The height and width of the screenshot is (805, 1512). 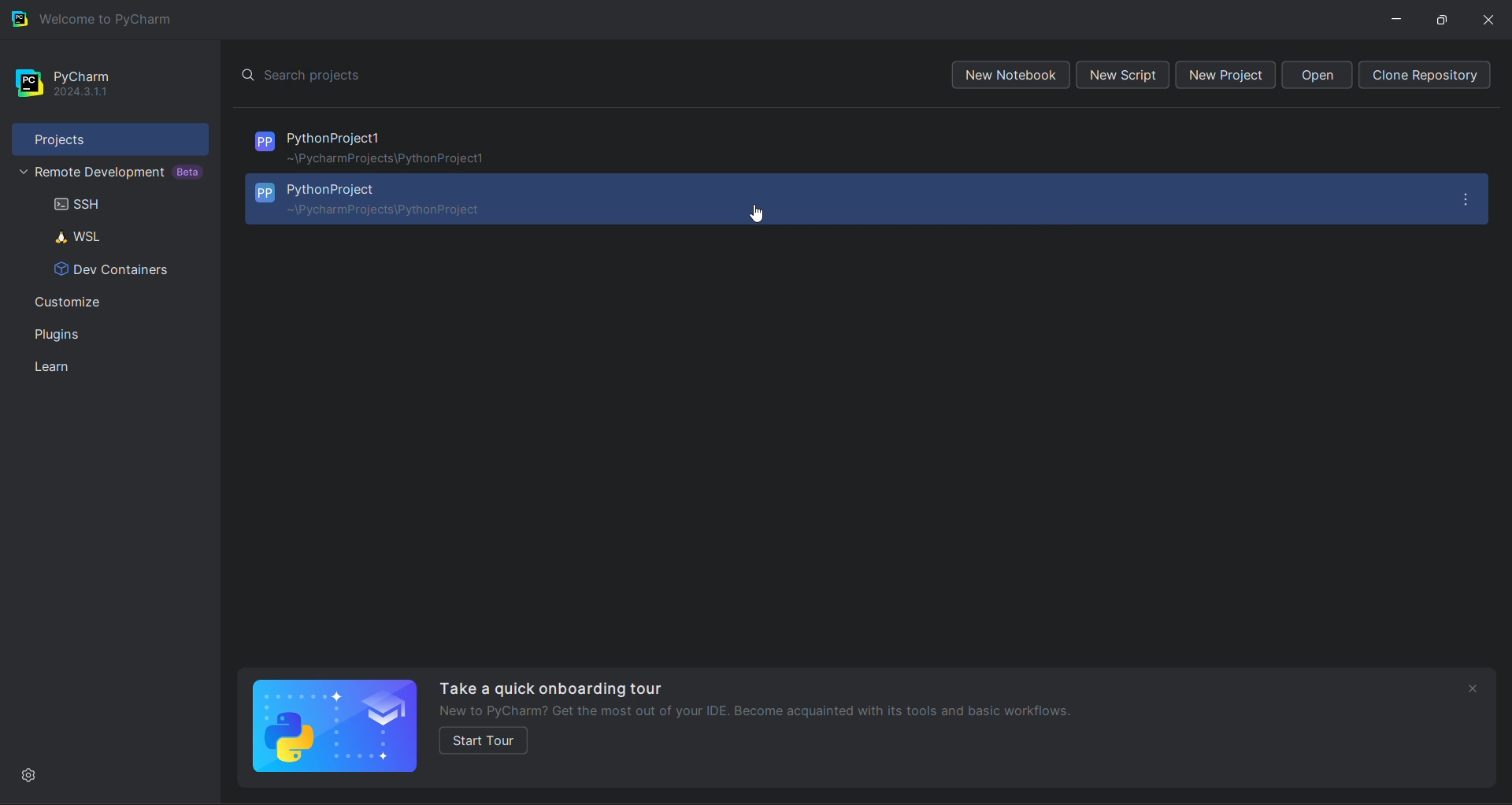 What do you see at coordinates (840, 198) in the screenshot?
I see `project2` at bounding box center [840, 198].